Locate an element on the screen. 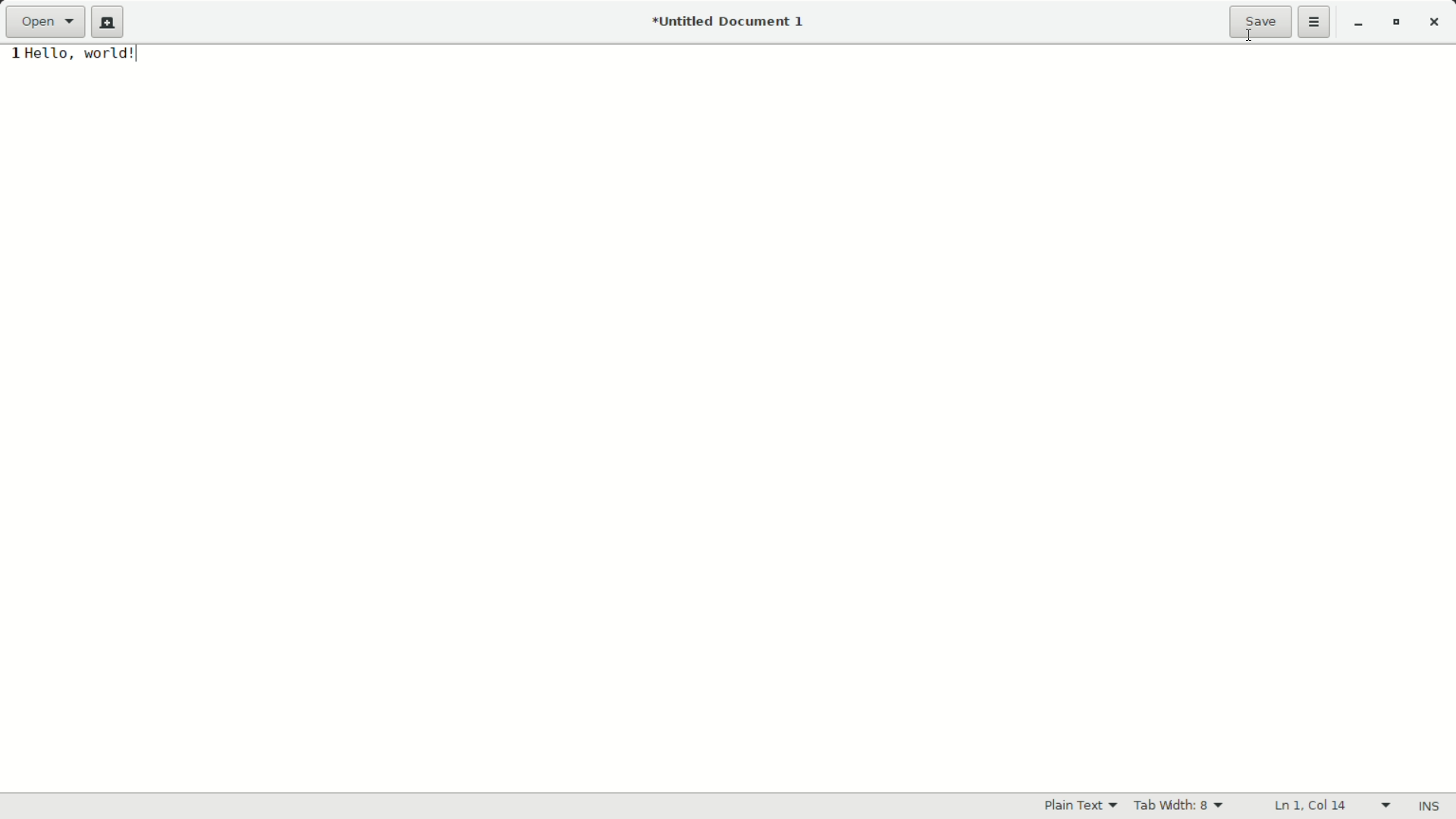  1 is located at coordinates (15, 55).